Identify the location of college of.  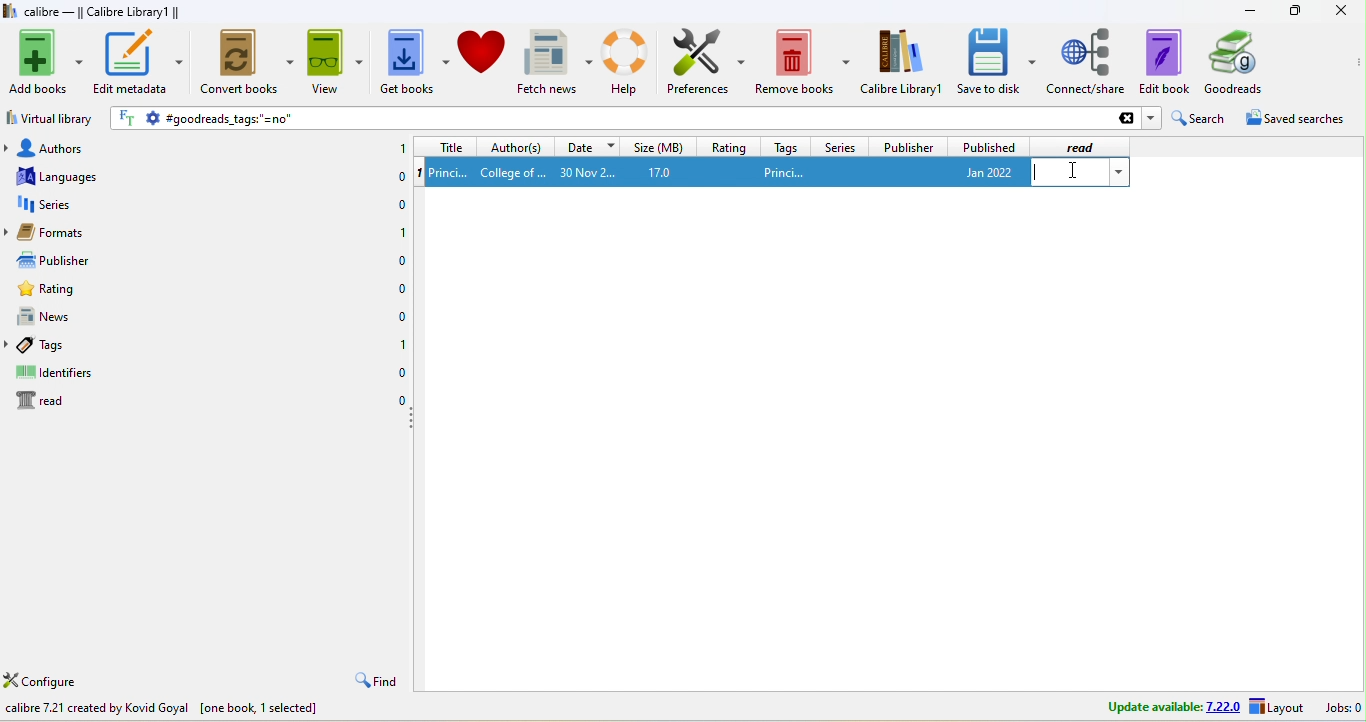
(514, 173).